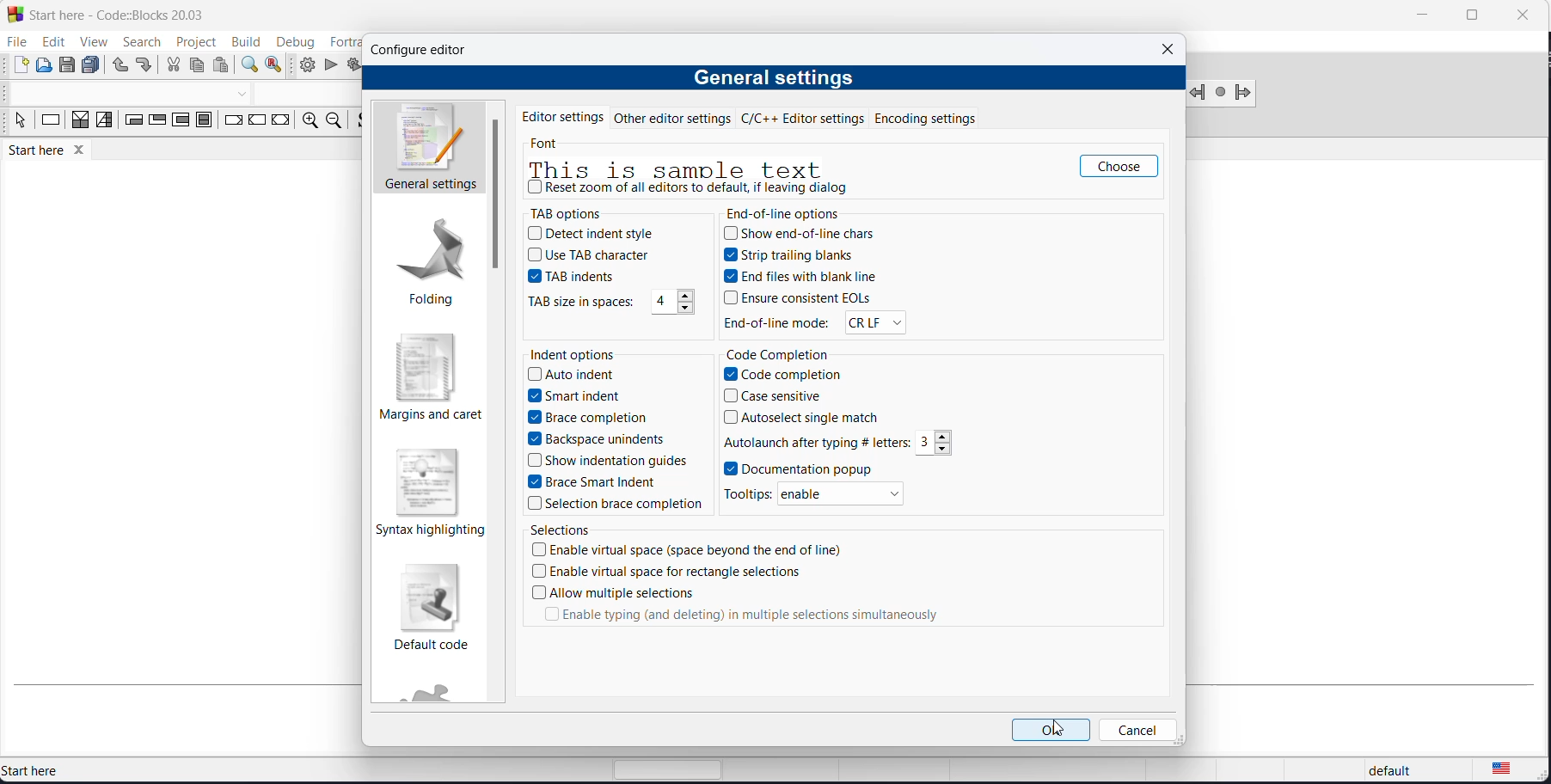 This screenshot has height=784, width=1551. Describe the element at coordinates (676, 118) in the screenshot. I see `other editor settings` at that location.